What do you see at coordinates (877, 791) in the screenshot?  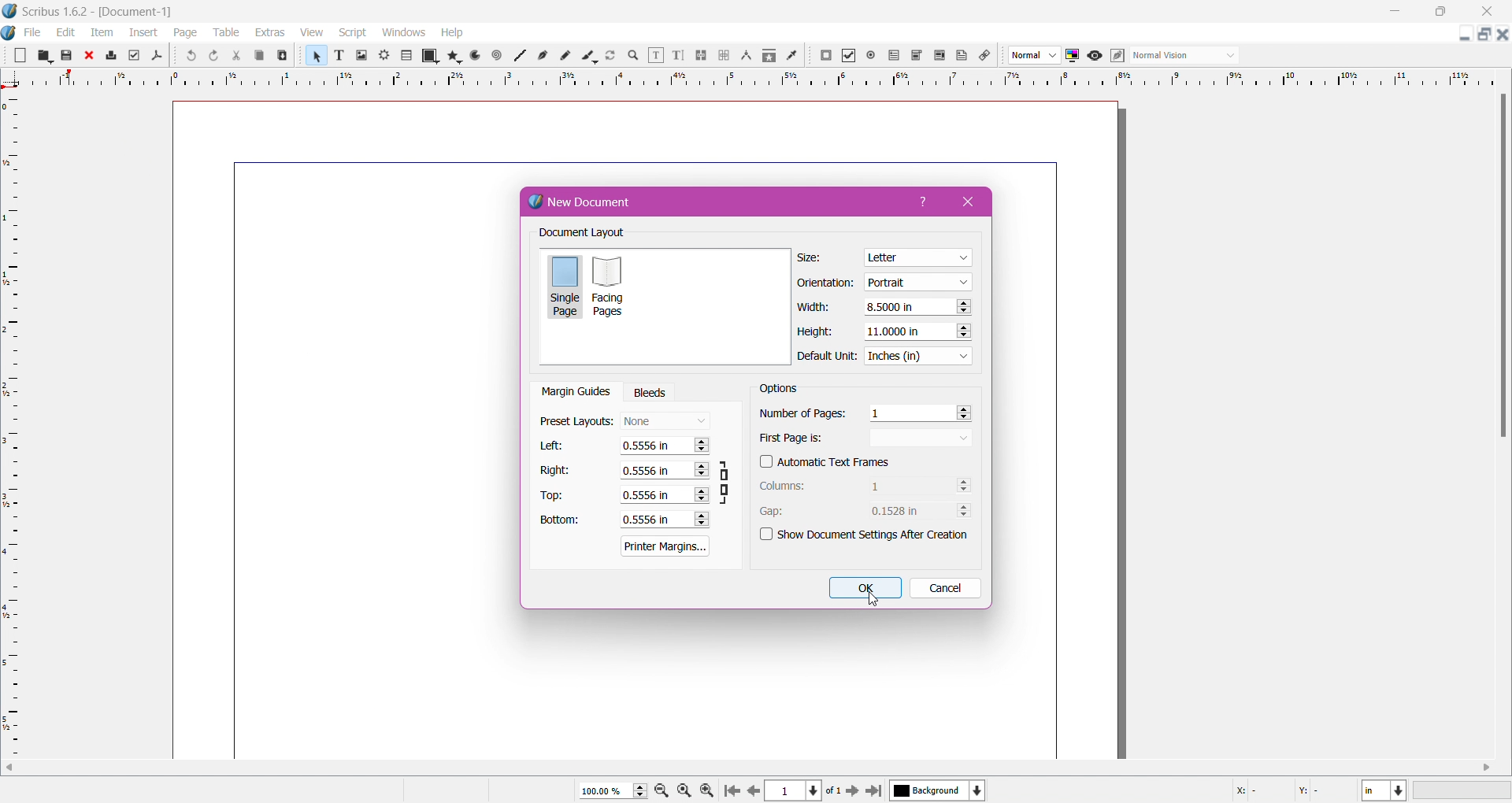 I see `end` at bounding box center [877, 791].